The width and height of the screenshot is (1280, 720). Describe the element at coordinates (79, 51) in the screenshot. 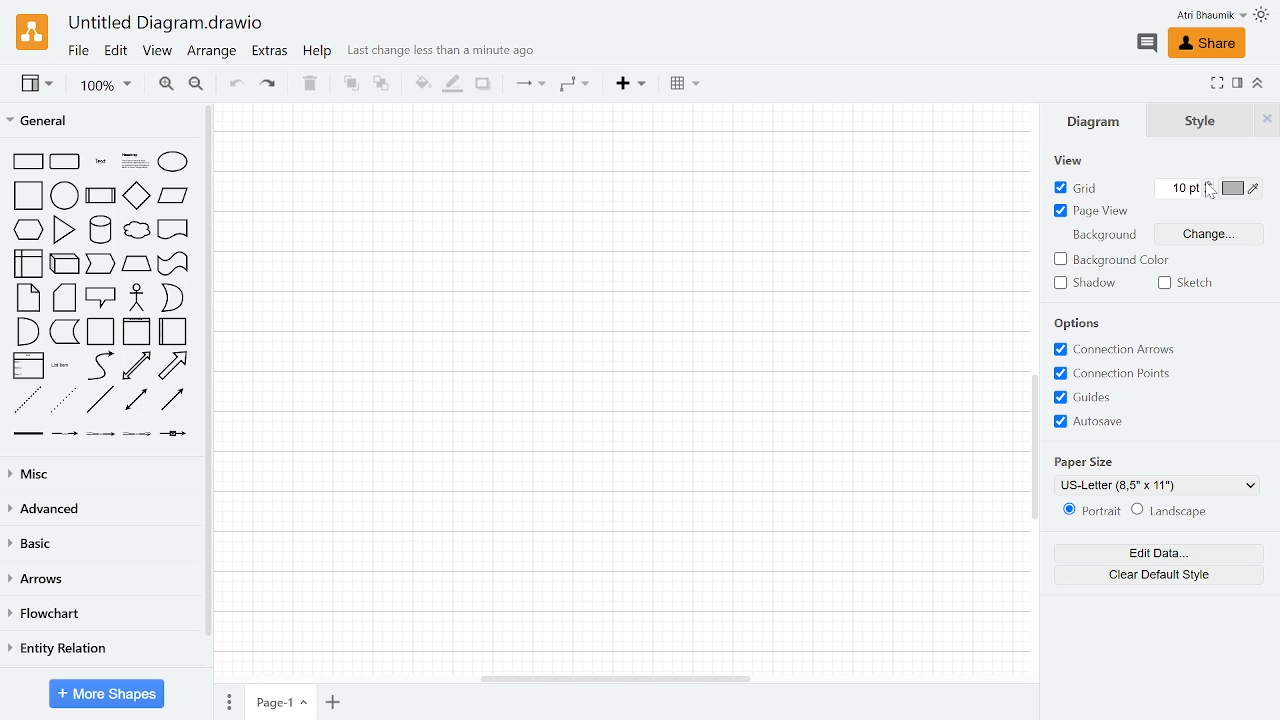

I see `File` at that location.